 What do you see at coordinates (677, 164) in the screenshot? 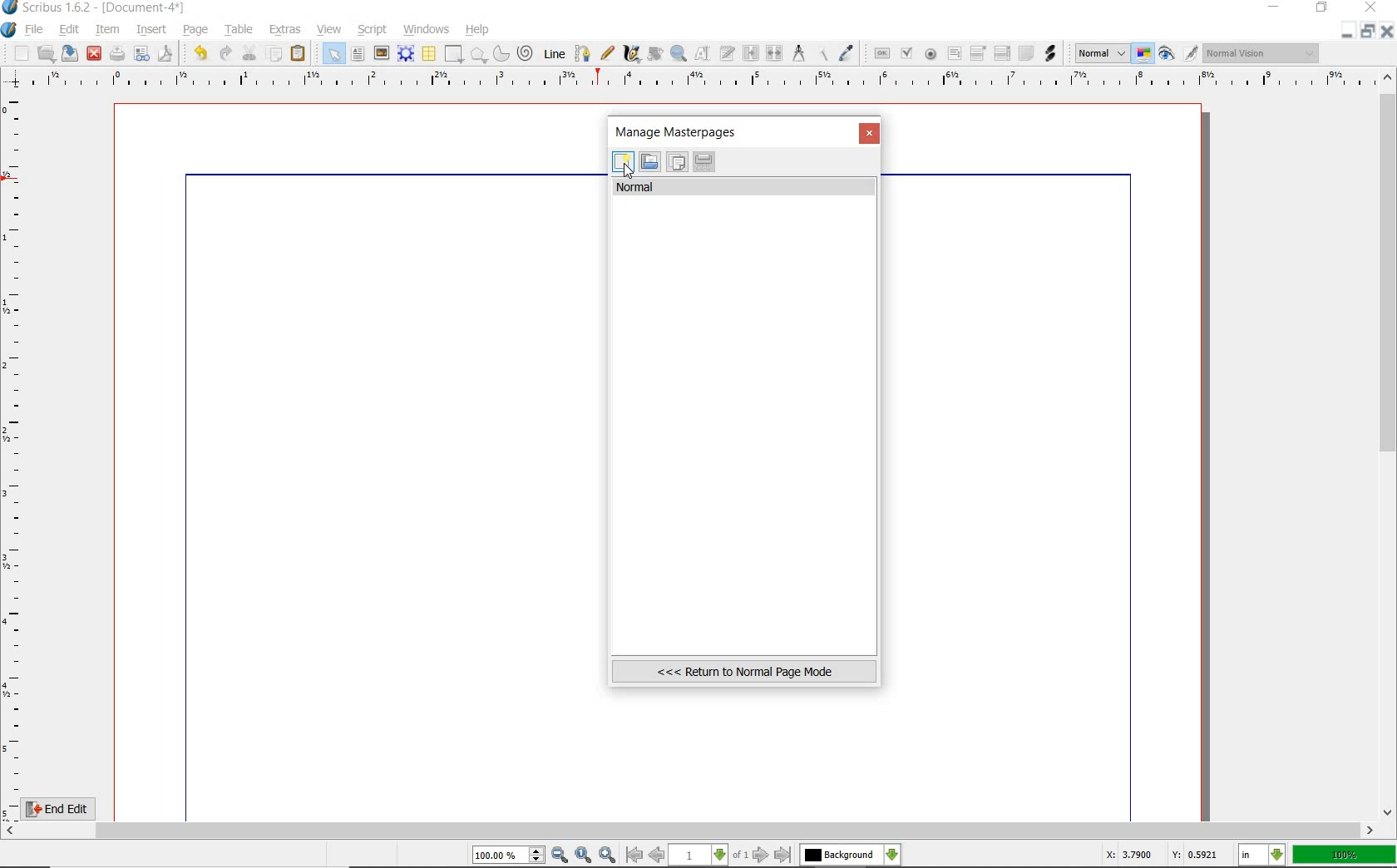
I see `duplicate the selected masterpages` at bounding box center [677, 164].